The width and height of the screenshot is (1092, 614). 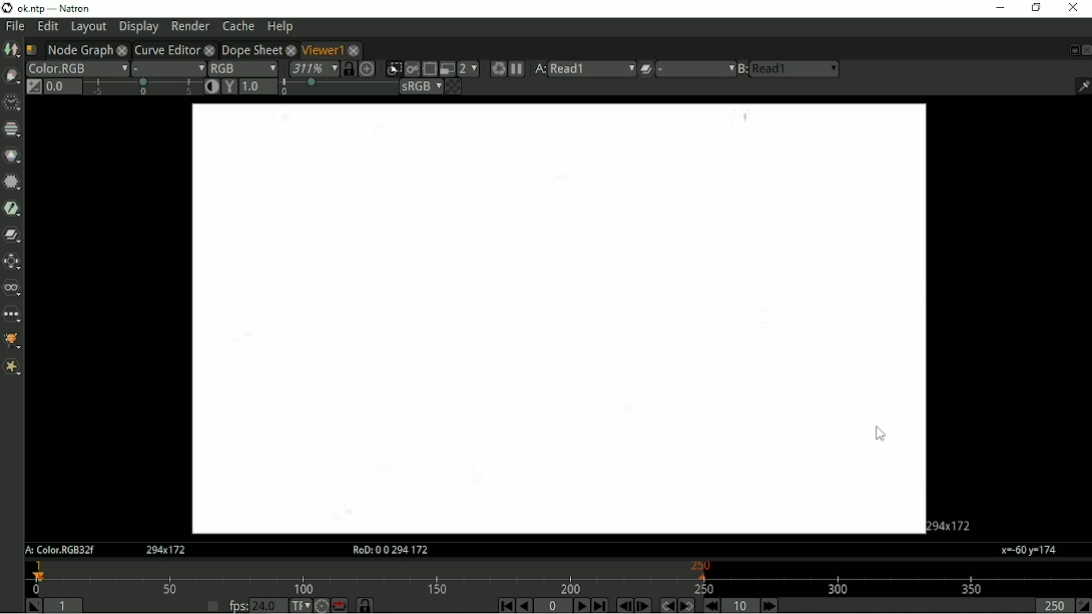 I want to click on Next frame, so click(x=643, y=606).